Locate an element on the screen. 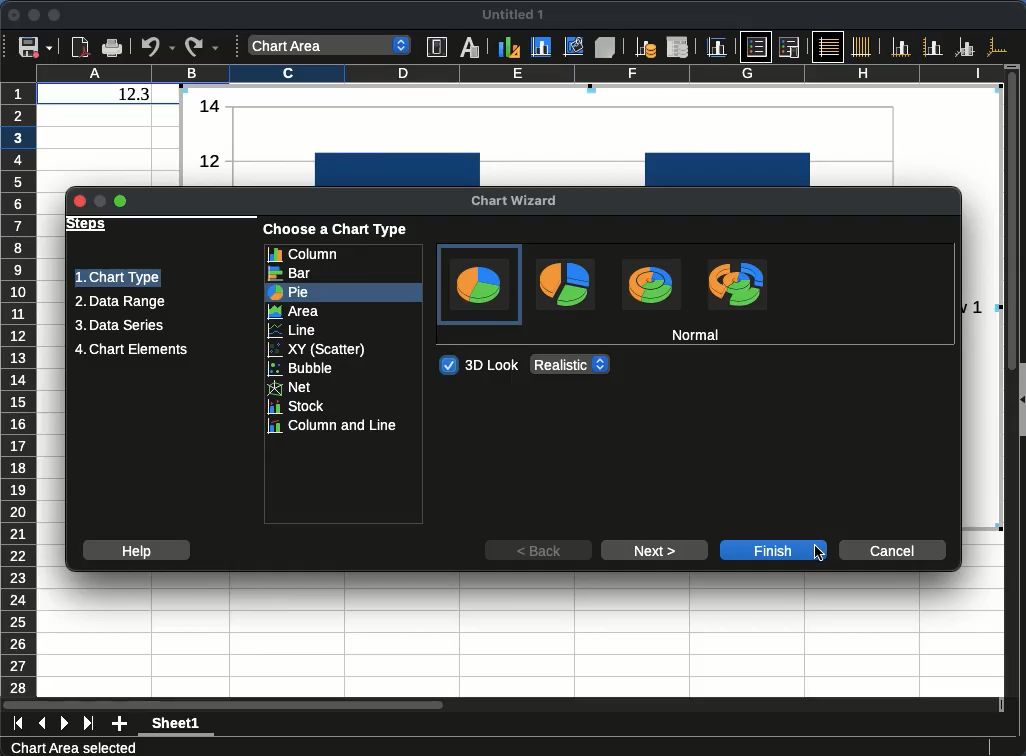 This screenshot has width=1026, height=756. Print is located at coordinates (112, 48).